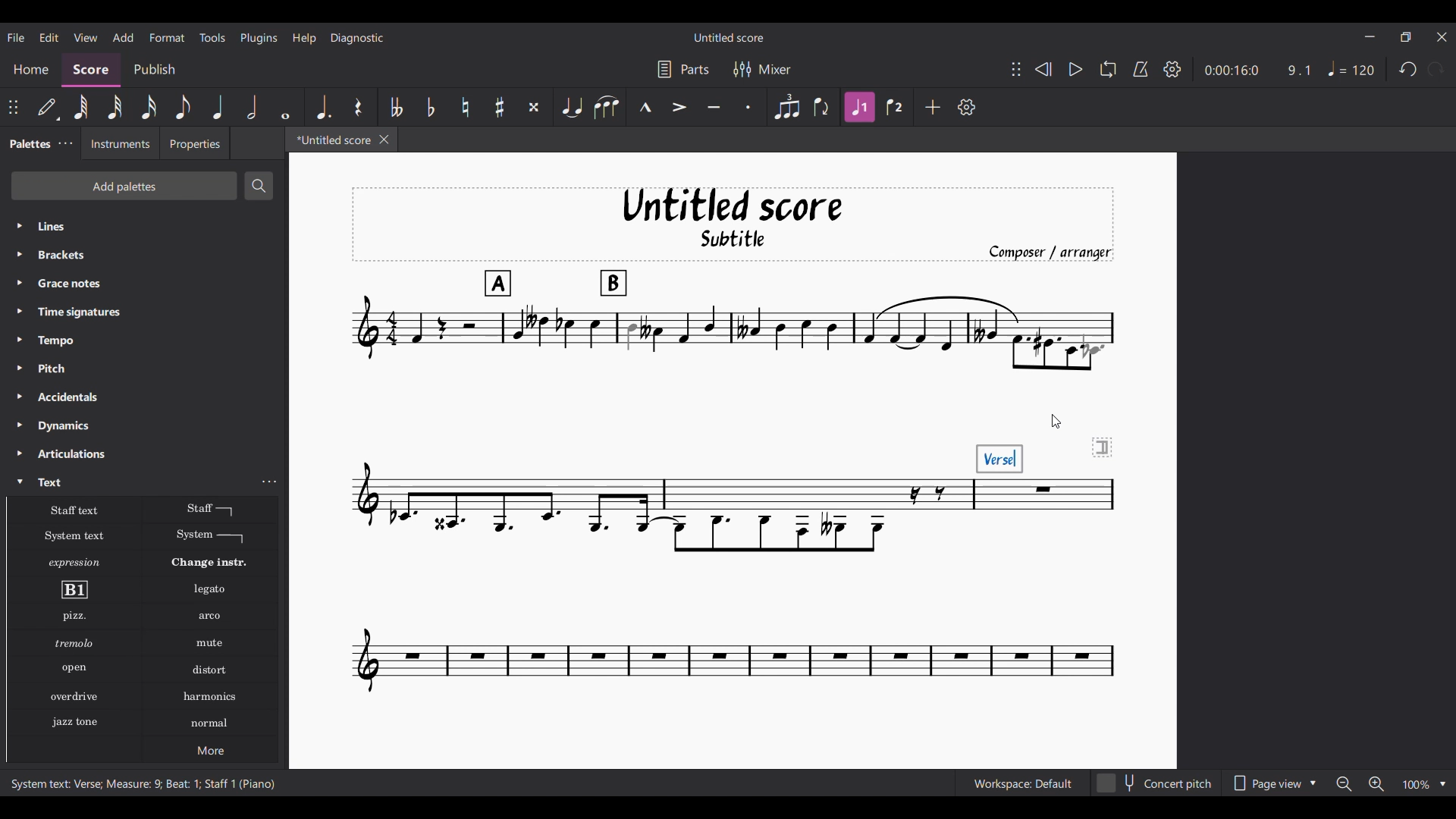 The image size is (1456, 819). I want to click on Tempo, so click(144, 340).